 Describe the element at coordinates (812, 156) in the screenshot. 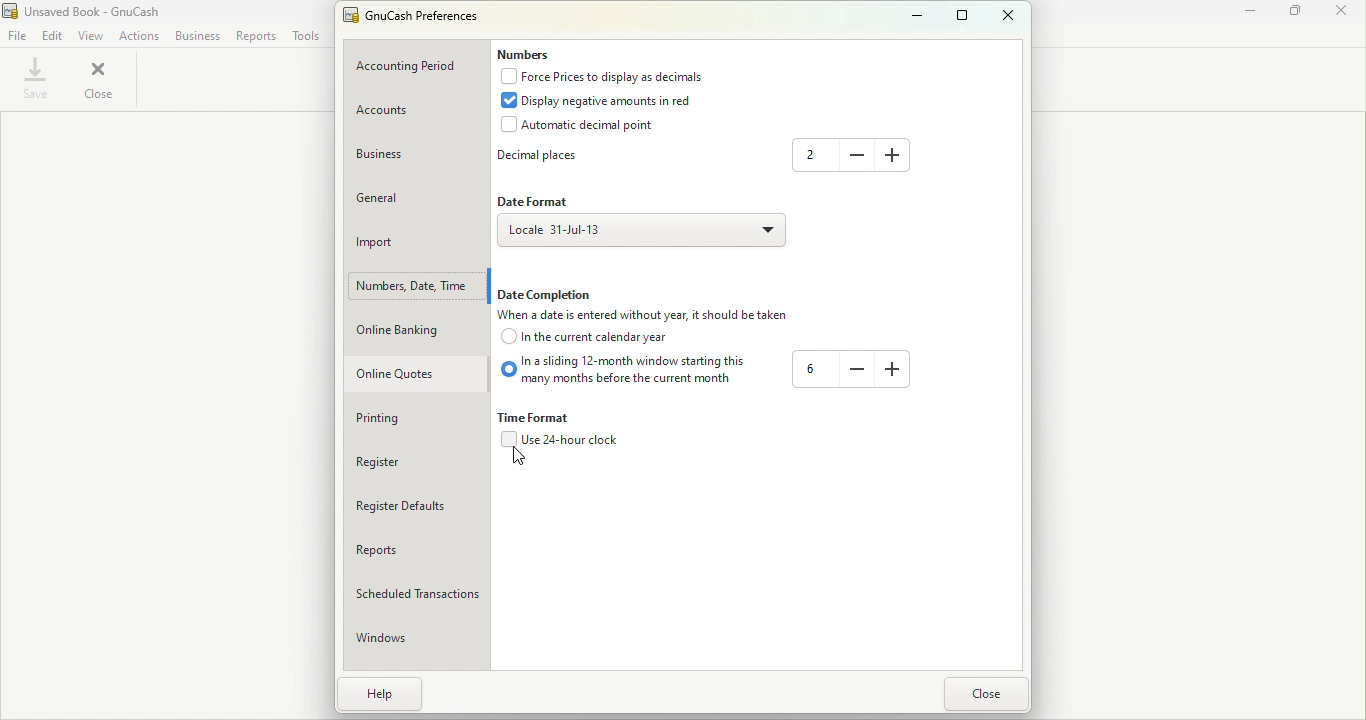

I see `2` at that location.